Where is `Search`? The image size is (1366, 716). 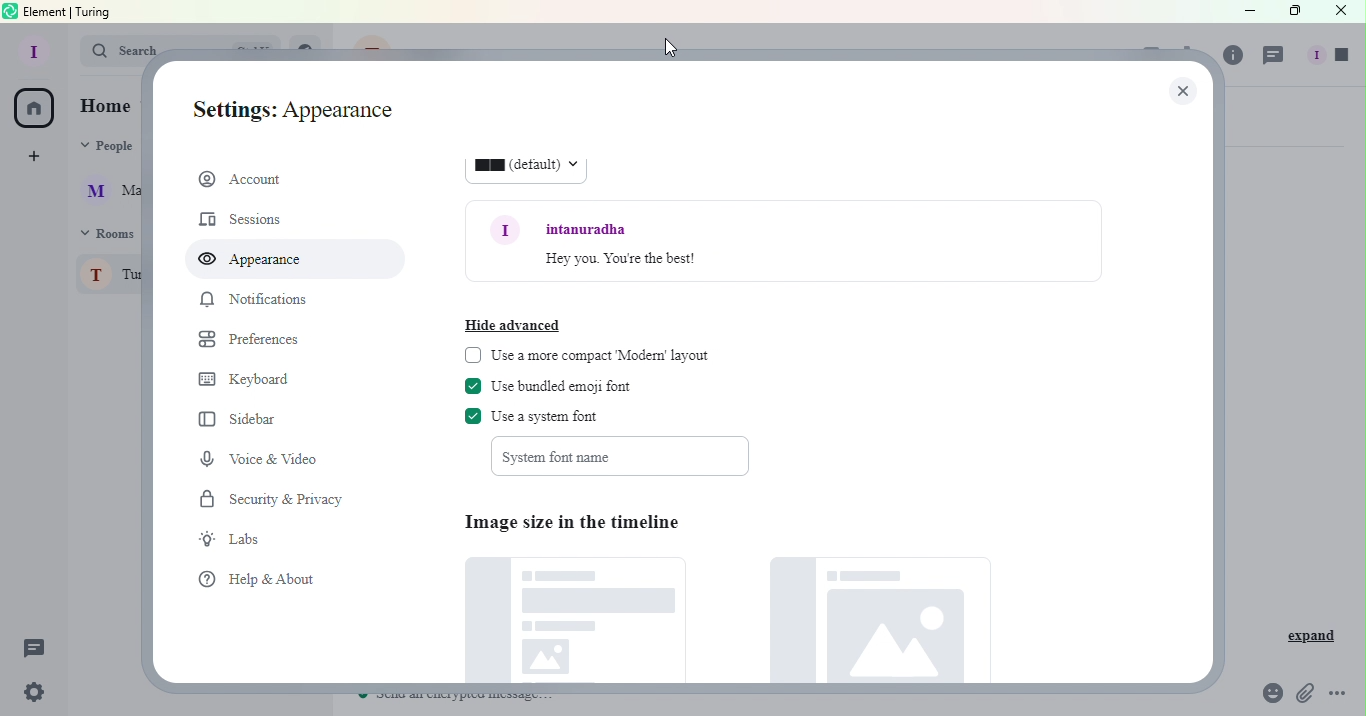 Search is located at coordinates (112, 53).